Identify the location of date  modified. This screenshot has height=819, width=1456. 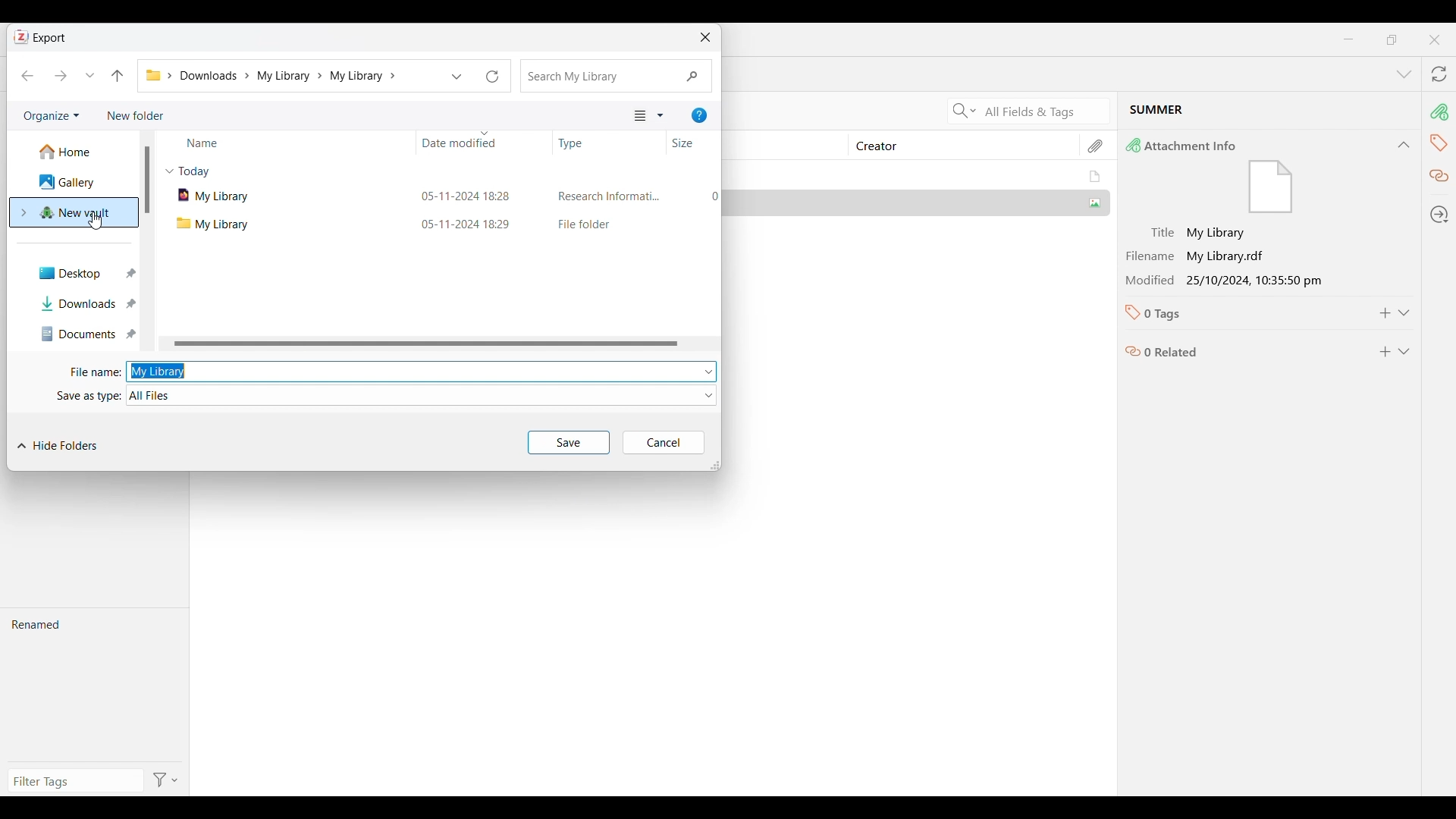
(453, 140).